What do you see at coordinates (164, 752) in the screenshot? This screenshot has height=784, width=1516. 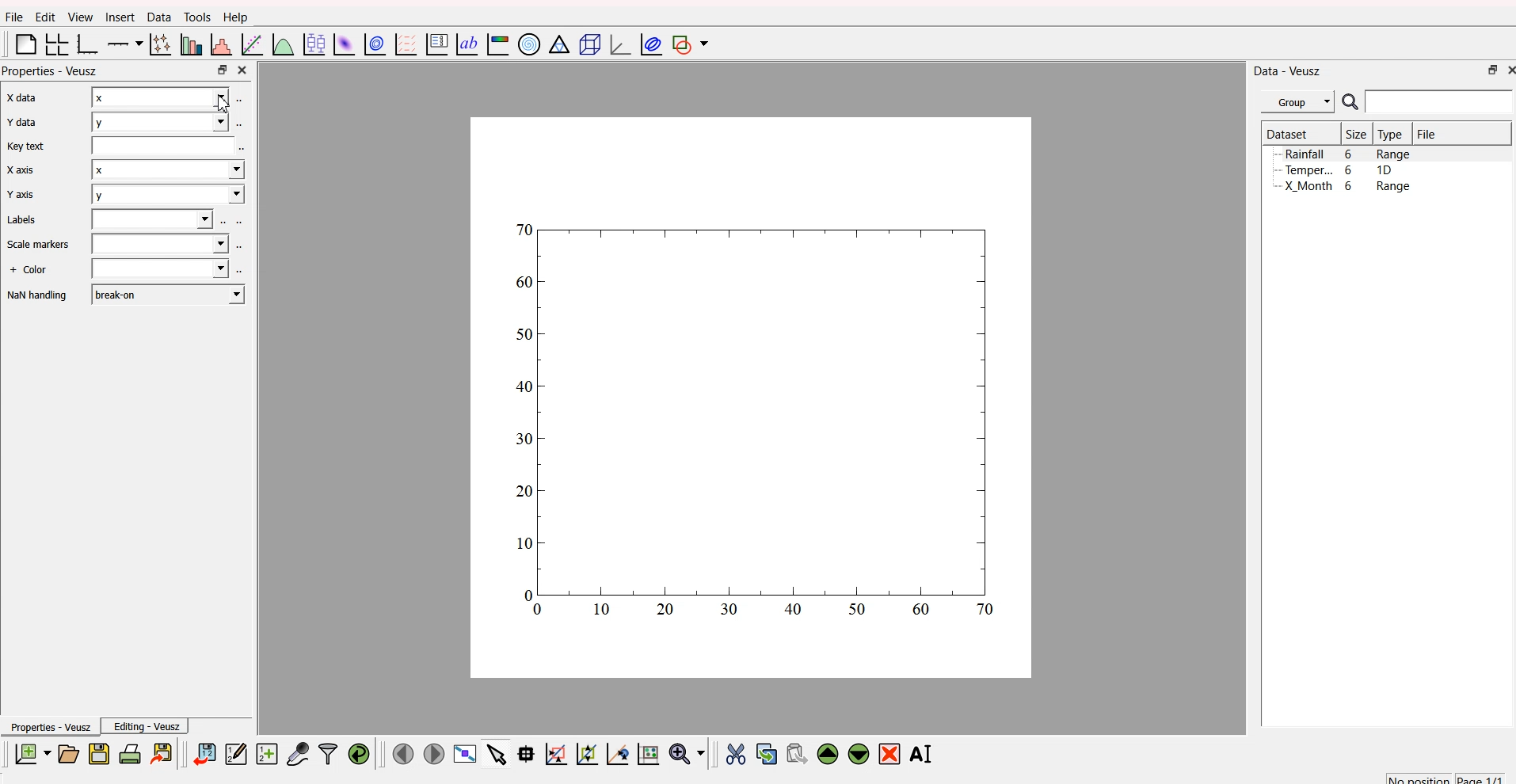 I see `export to graphics format` at bounding box center [164, 752].